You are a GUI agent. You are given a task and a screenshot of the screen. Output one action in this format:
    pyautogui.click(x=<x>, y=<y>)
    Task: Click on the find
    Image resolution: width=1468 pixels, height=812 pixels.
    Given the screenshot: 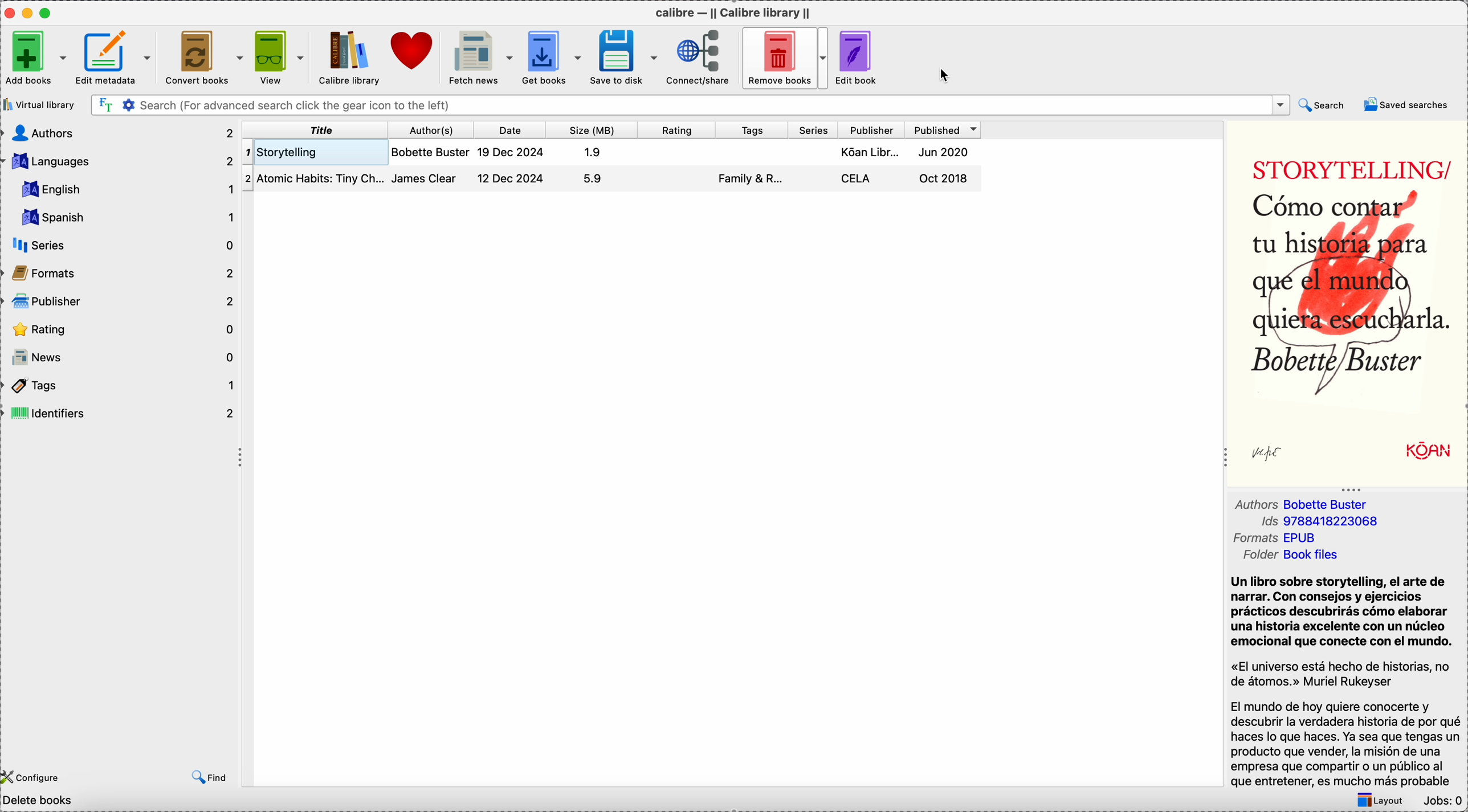 What is the action you would take?
    pyautogui.click(x=211, y=779)
    